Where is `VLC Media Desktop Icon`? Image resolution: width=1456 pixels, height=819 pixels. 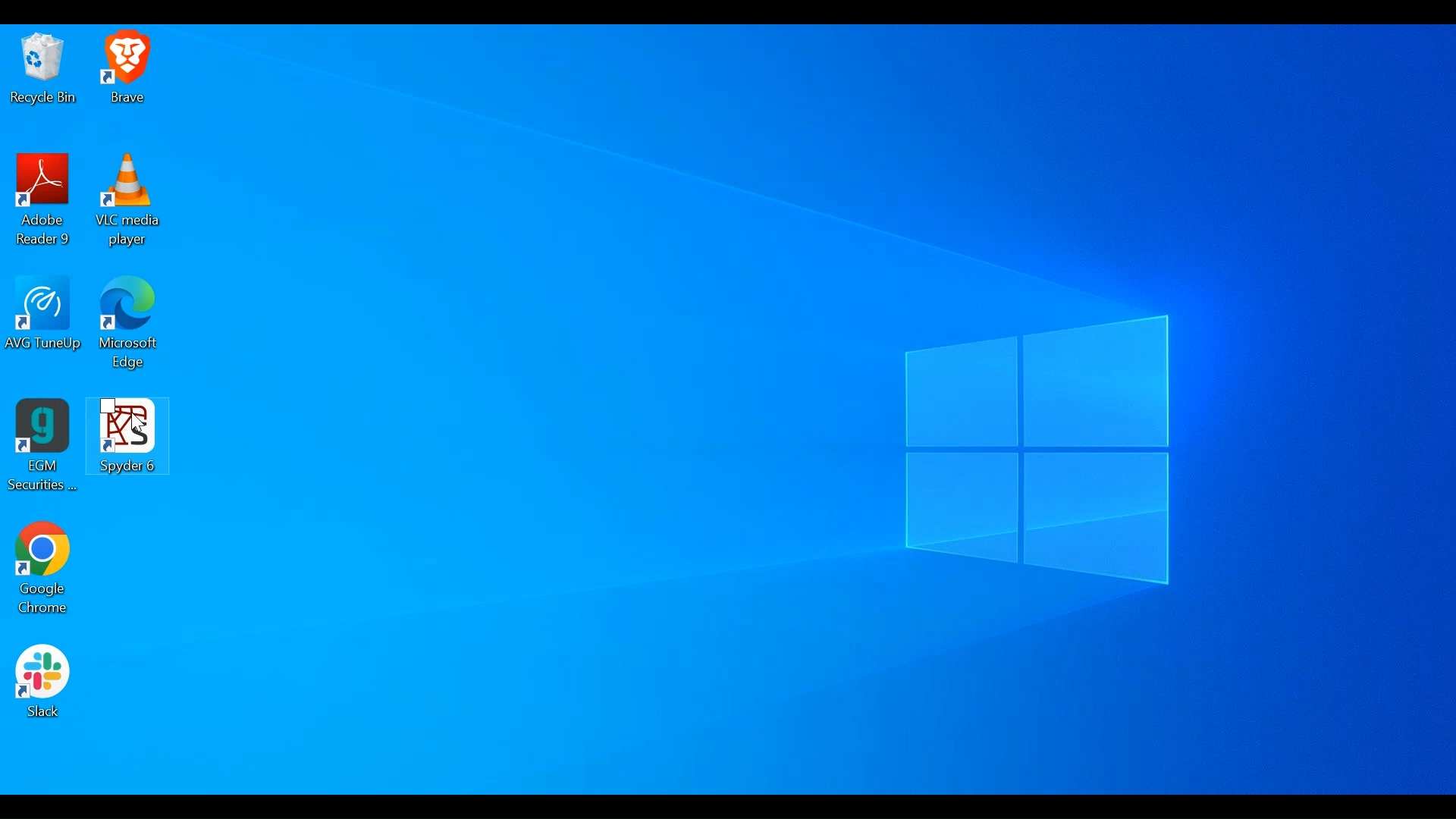 VLC Media Desktop Icon is located at coordinates (123, 199).